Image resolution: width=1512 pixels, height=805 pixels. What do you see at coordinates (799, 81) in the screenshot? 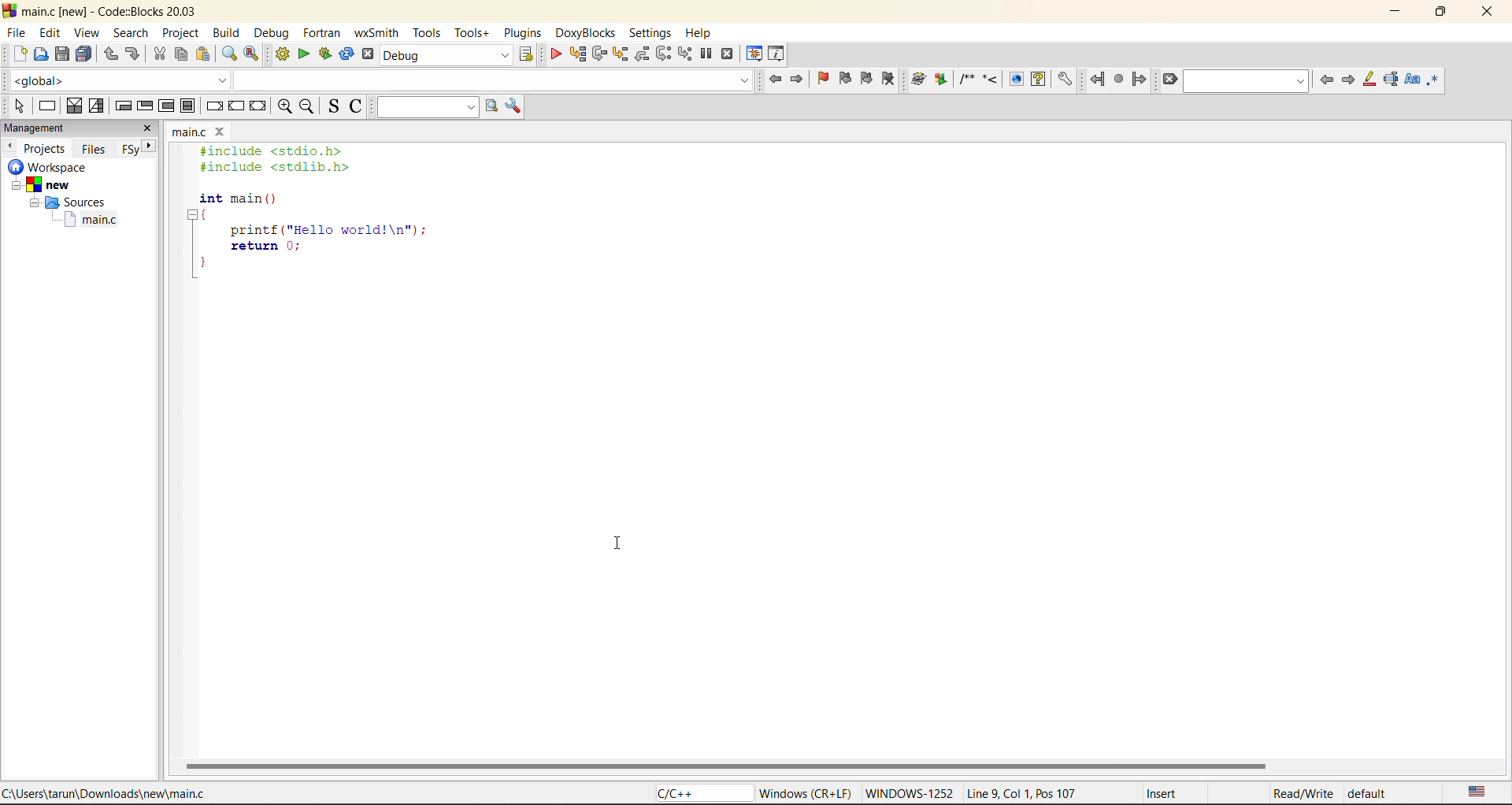
I see `jump forward` at bounding box center [799, 81].